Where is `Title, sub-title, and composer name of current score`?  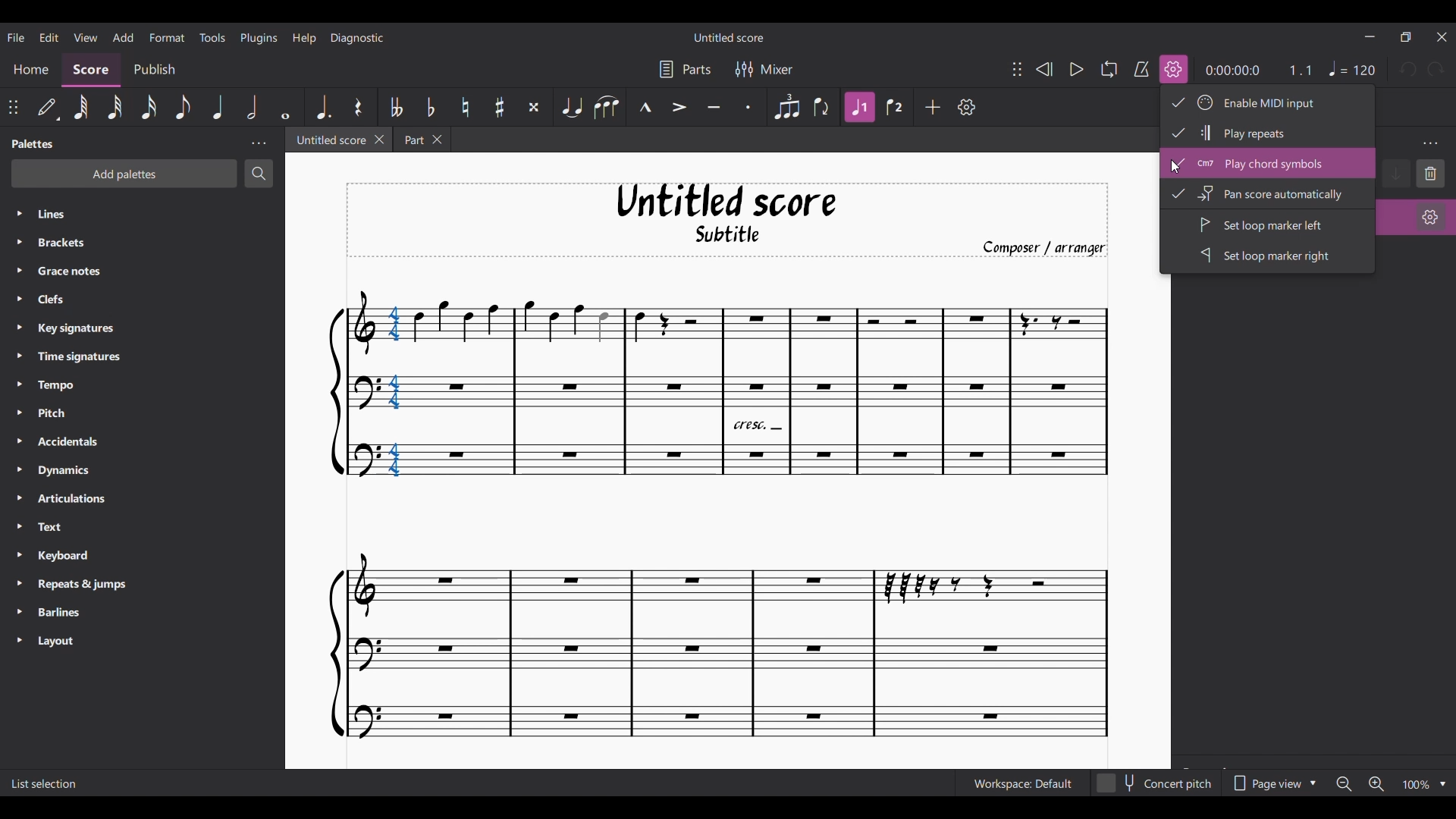
Title, sub-title, and composer name of current score is located at coordinates (727, 220).